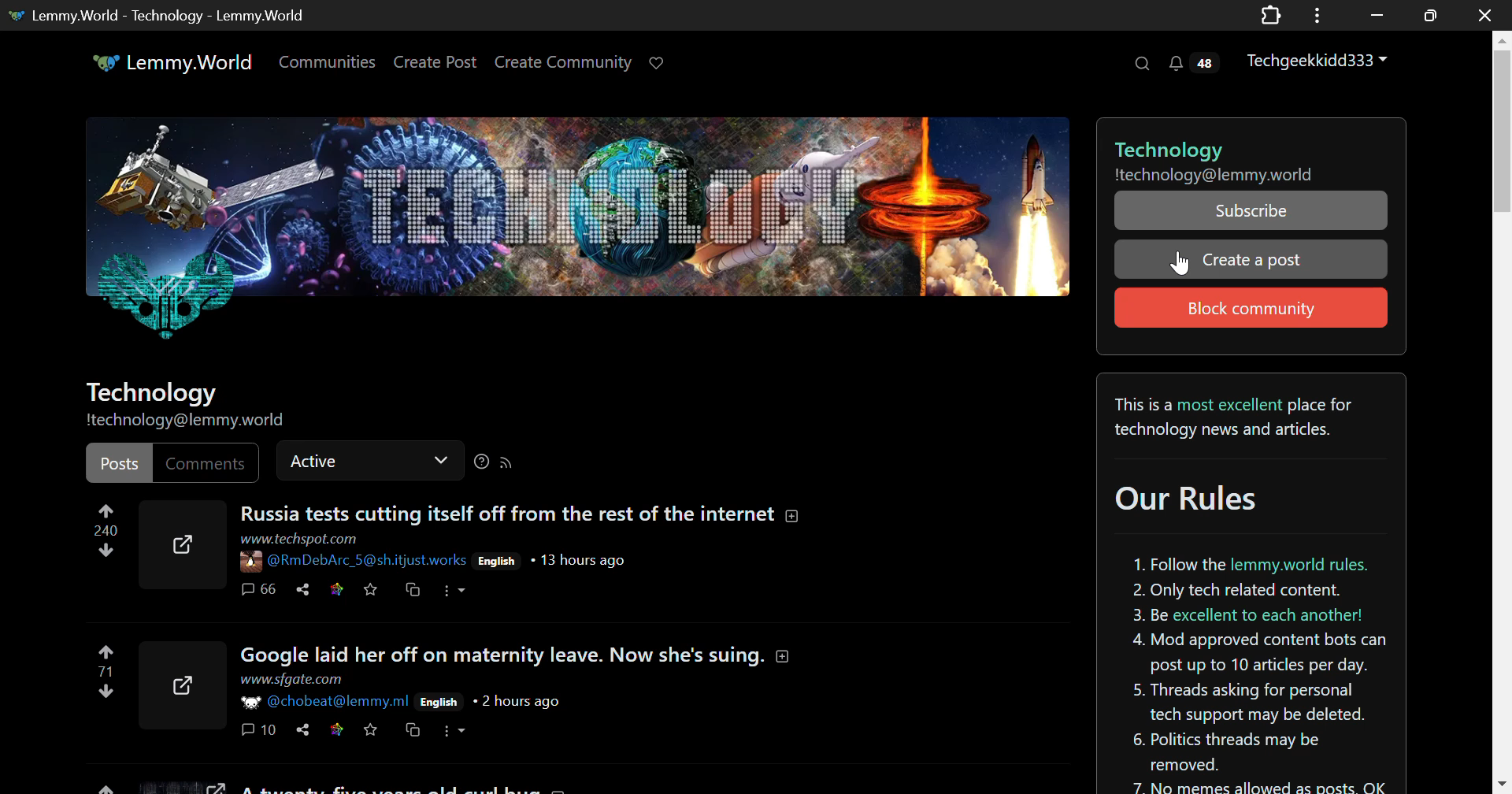 Image resolution: width=1512 pixels, height=794 pixels. Describe the element at coordinates (480, 787) in the screenshot. I see `Community Post` at that location.